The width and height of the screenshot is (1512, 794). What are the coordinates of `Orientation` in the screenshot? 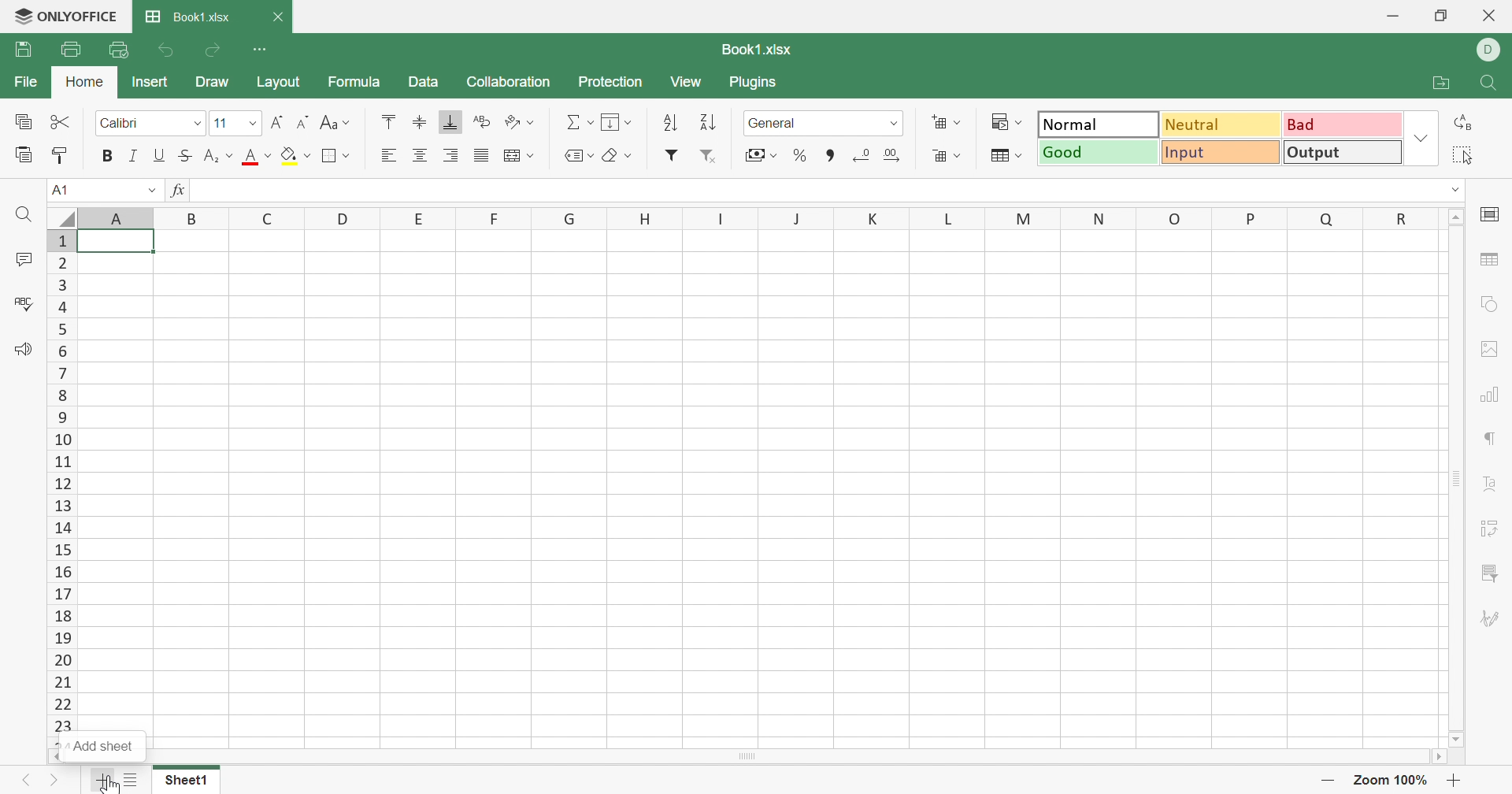 It's located at (511, 119).